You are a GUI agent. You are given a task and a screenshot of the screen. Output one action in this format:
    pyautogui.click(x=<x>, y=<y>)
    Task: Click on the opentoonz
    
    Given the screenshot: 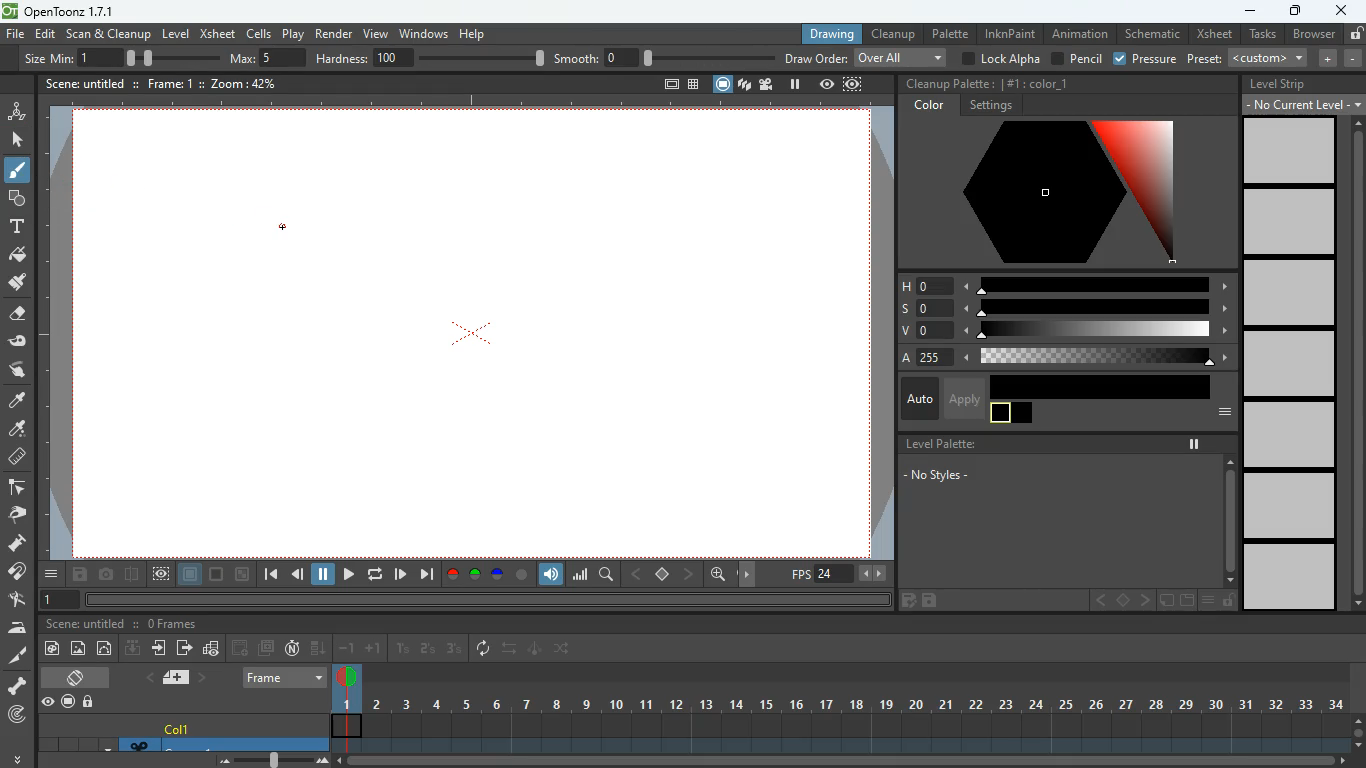 What is the action you would take?
    pyautogui.click(x=62, y=12)
    